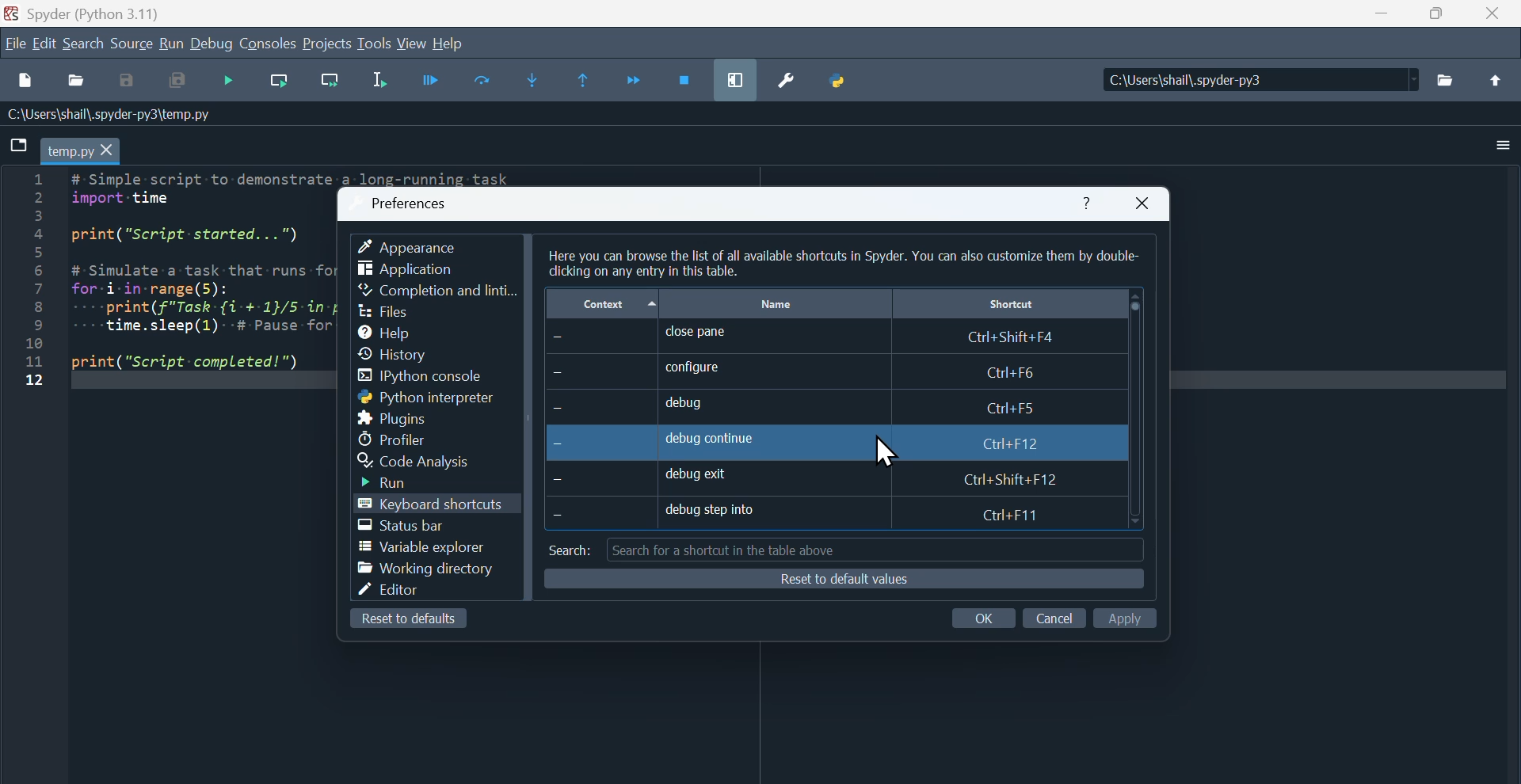  What do you see at coordinates (382, 86) in the screenshot?
I see `Run selection` at bounding box center [382, 86].